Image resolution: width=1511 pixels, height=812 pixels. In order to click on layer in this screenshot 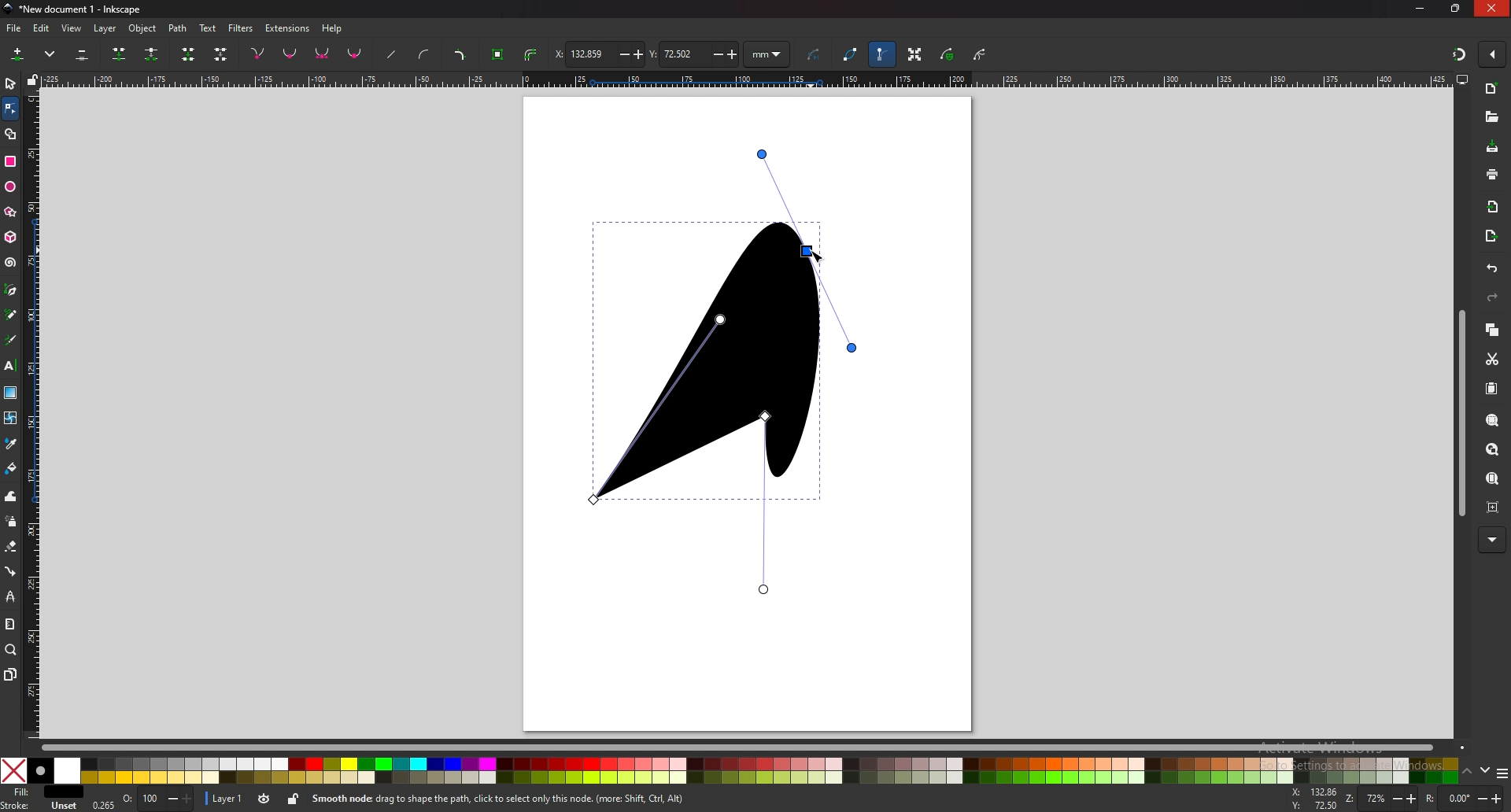, I will do `click(105, 29)`.